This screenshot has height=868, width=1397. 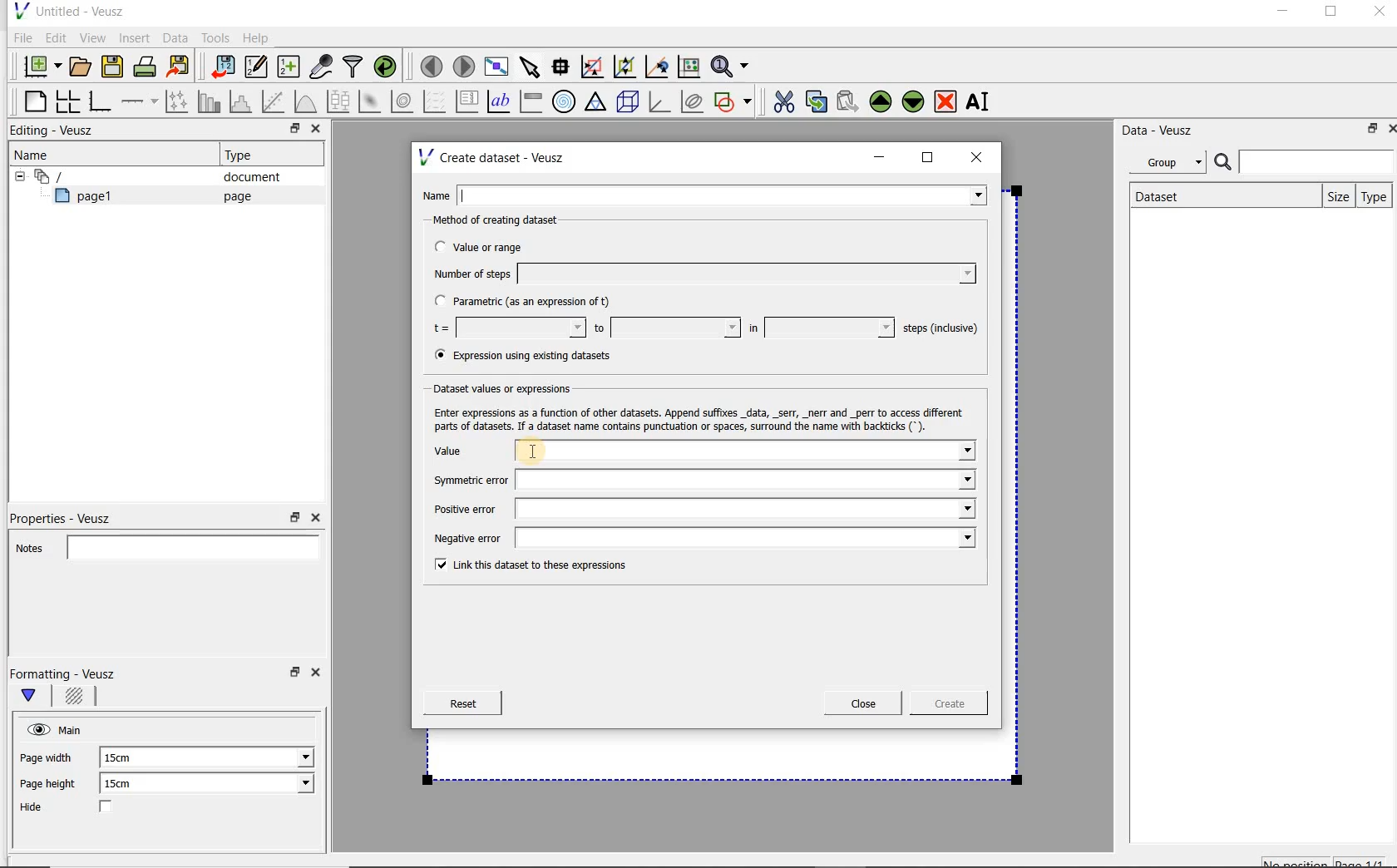 What do you see at coordinates (535, 356) in the screenshot?
I see `(® Expression using existing datasets` at bounding box center [535, 356].